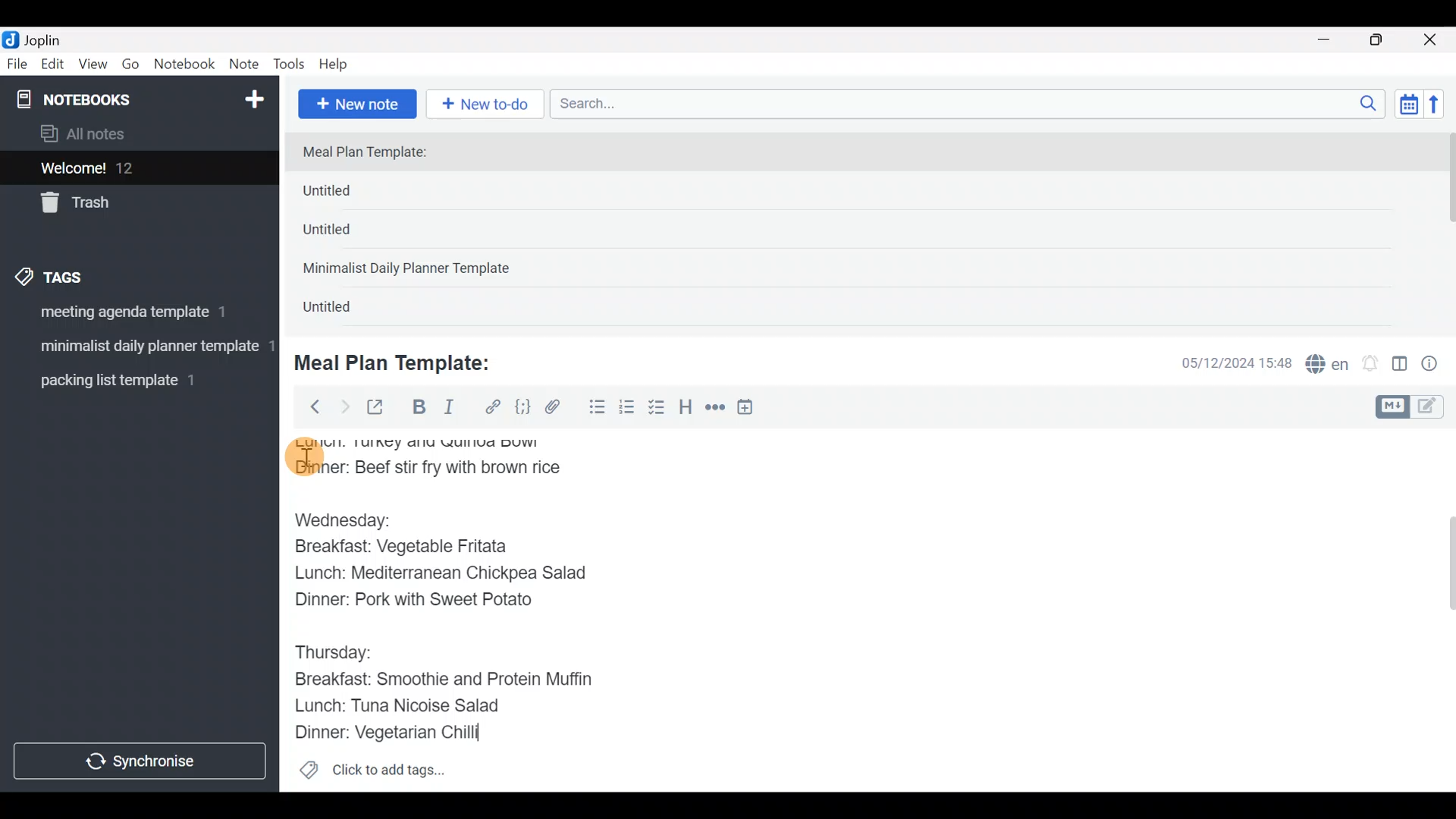  I want to click on Toggle external editing, so click(381, 408).